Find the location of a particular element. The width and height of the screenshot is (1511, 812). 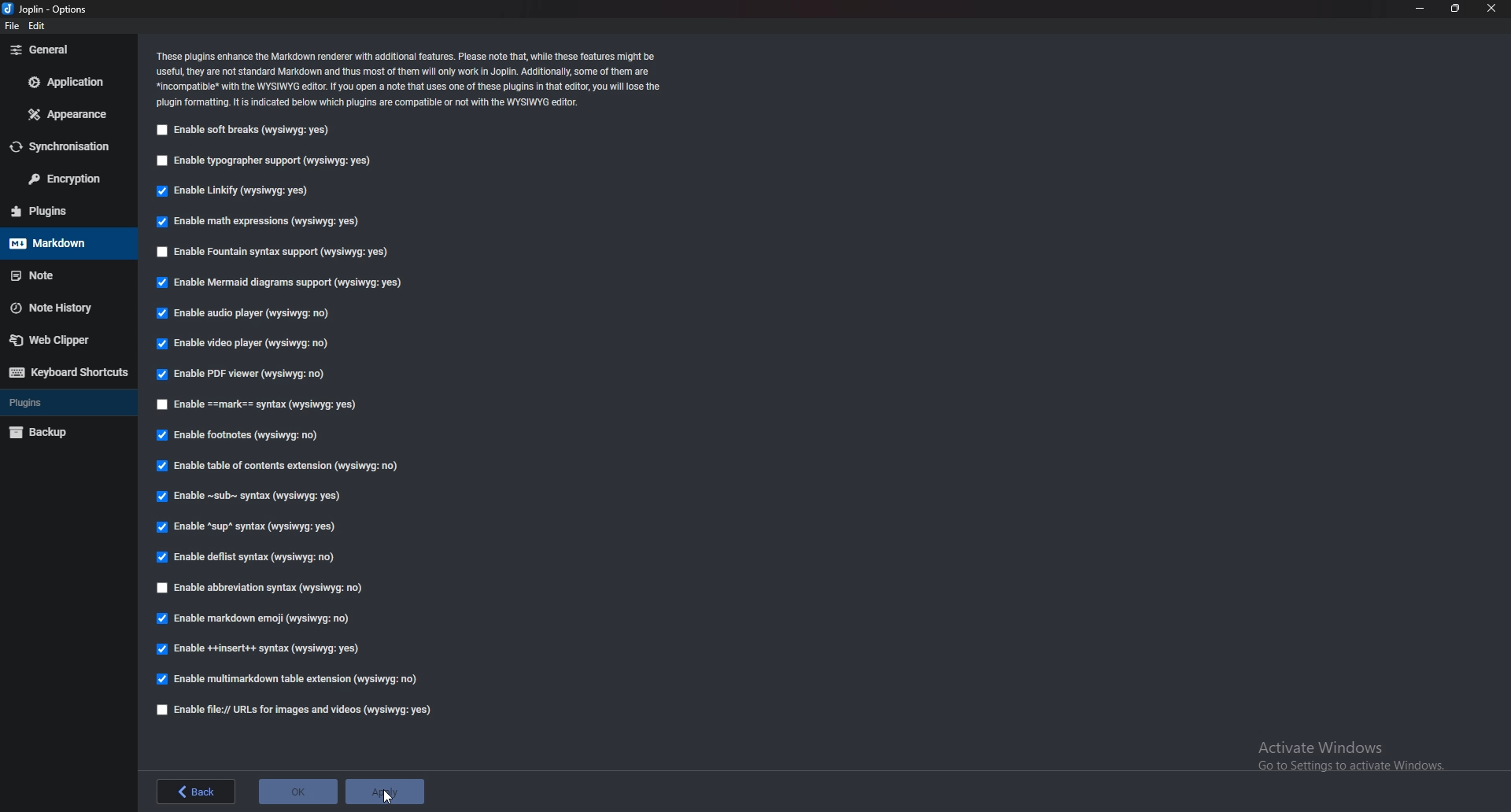

Enable mermaid diagrams is located at coordinates (281, 283).